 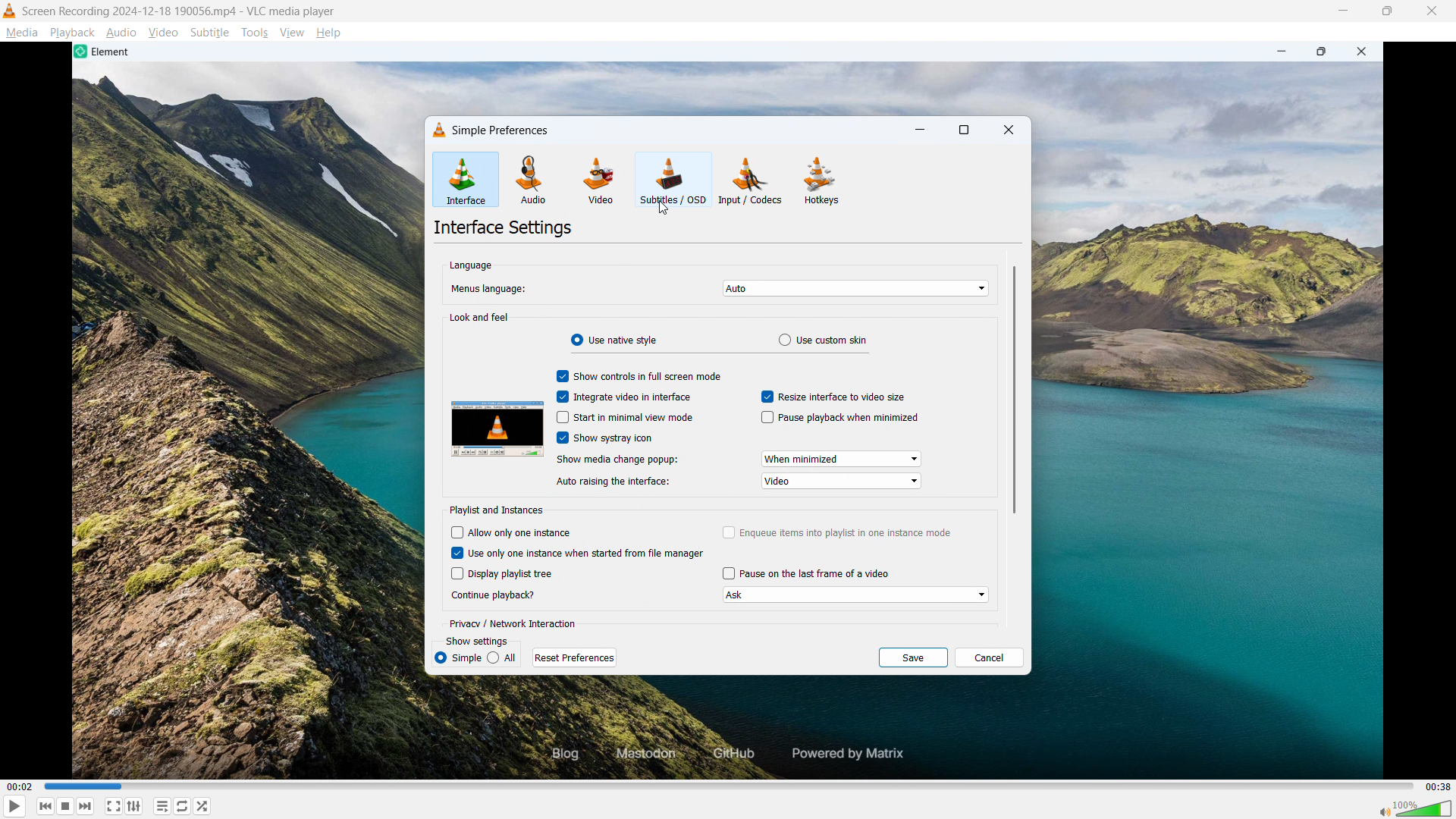 I want to click on checkbox, so click(x=726, y=532).